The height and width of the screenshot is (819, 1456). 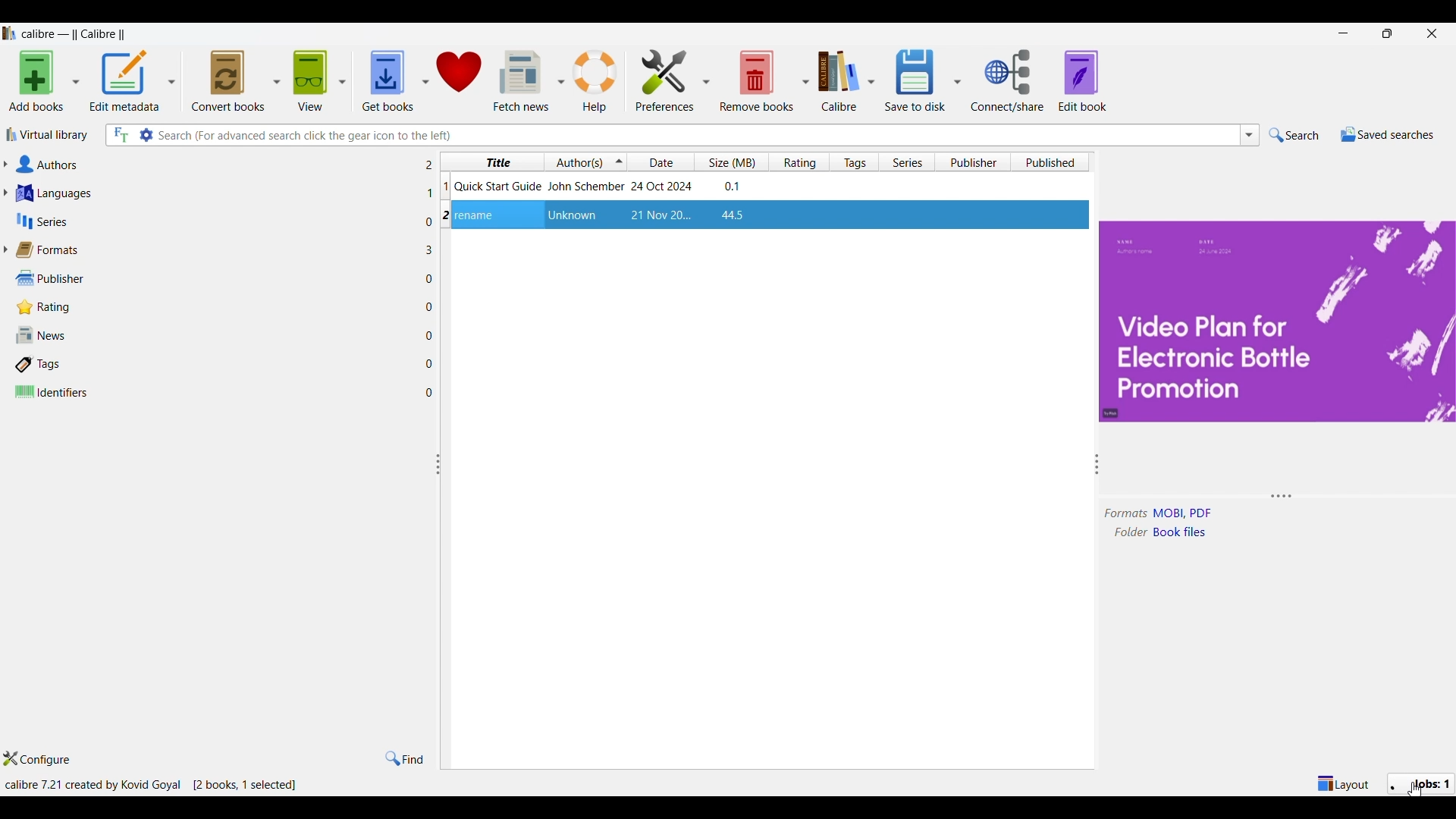 What do you see at coordinates (1007, 80) in the screenshot?
I see `Connect/Share` at bounding box center [1007, 80].